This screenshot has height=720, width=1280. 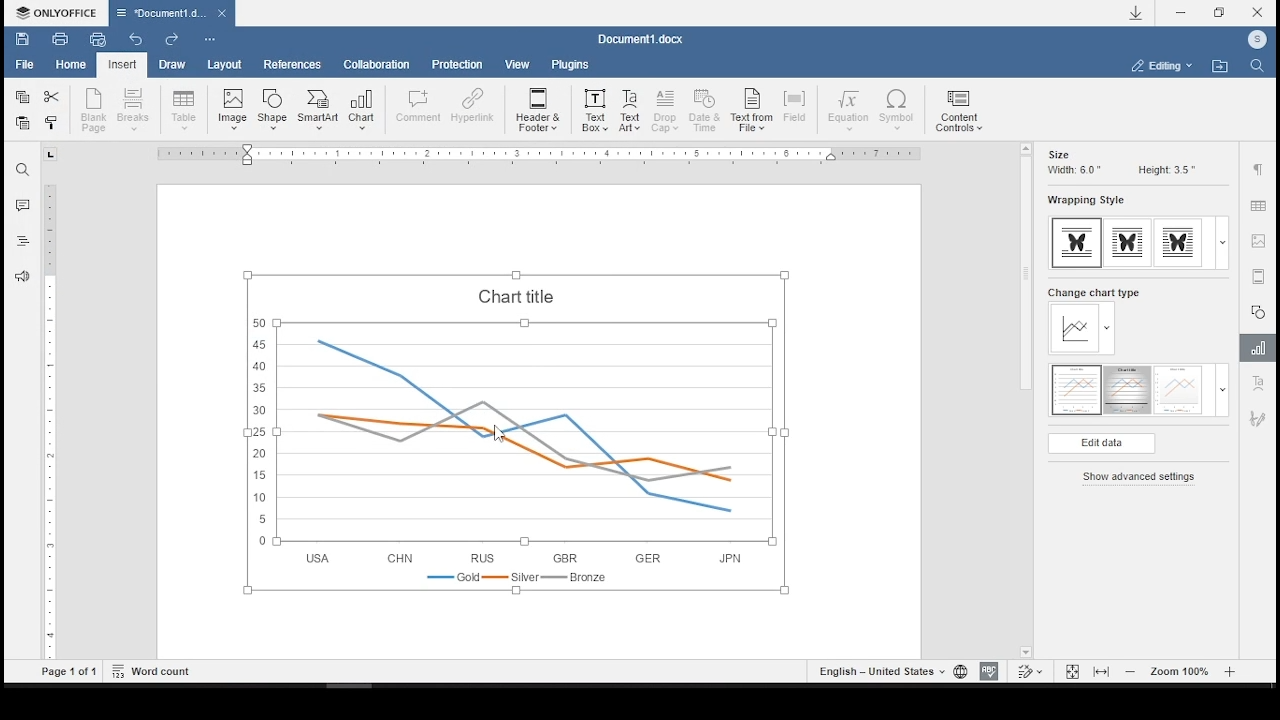 I want to click on chart, so click(x=516, y=433).